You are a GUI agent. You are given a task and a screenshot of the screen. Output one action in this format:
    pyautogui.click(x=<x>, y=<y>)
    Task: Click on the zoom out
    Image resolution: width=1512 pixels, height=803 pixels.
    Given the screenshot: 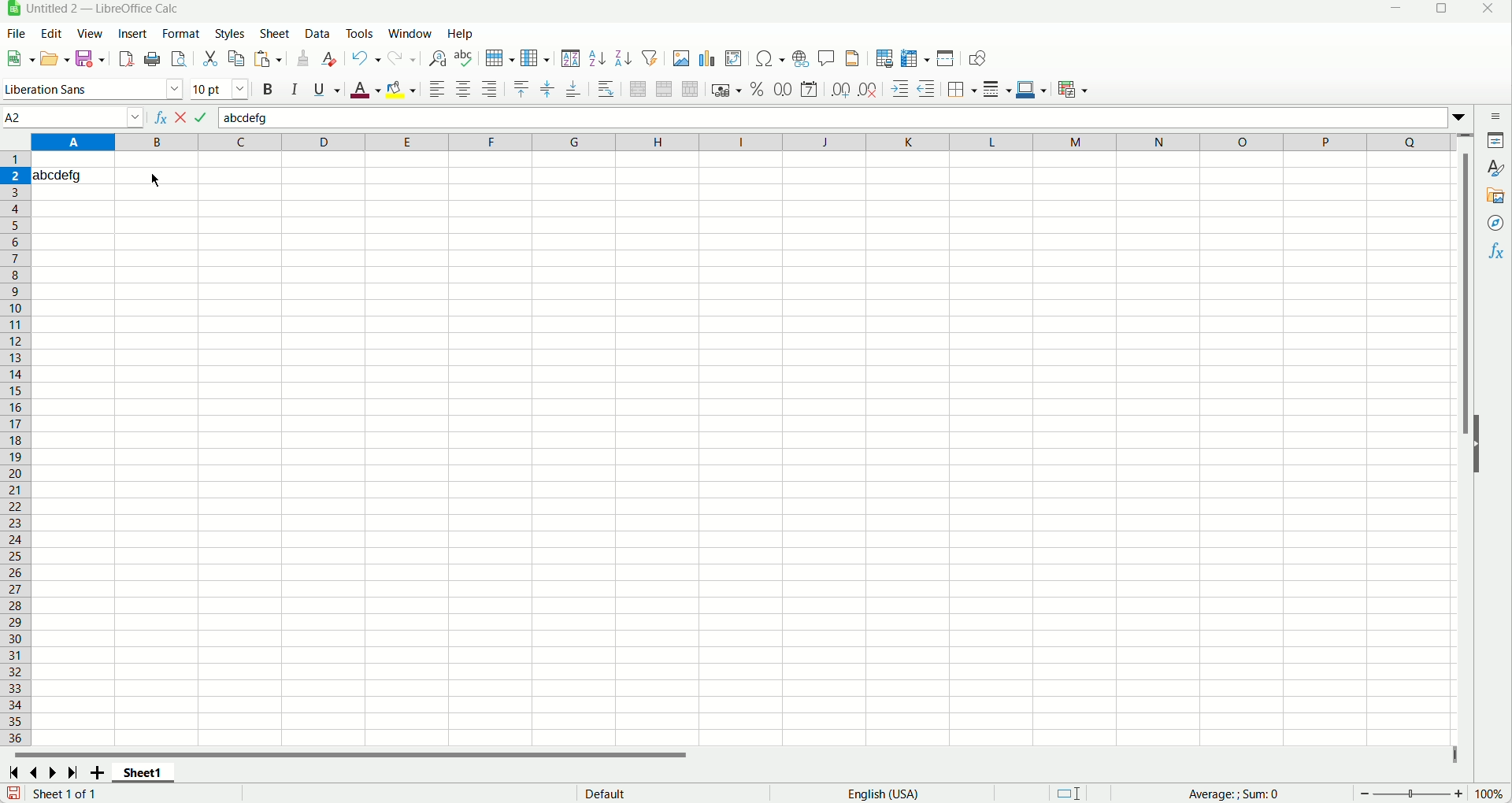 What is the action you would take?
    pyautogui.click(x=1366, y=794)
    